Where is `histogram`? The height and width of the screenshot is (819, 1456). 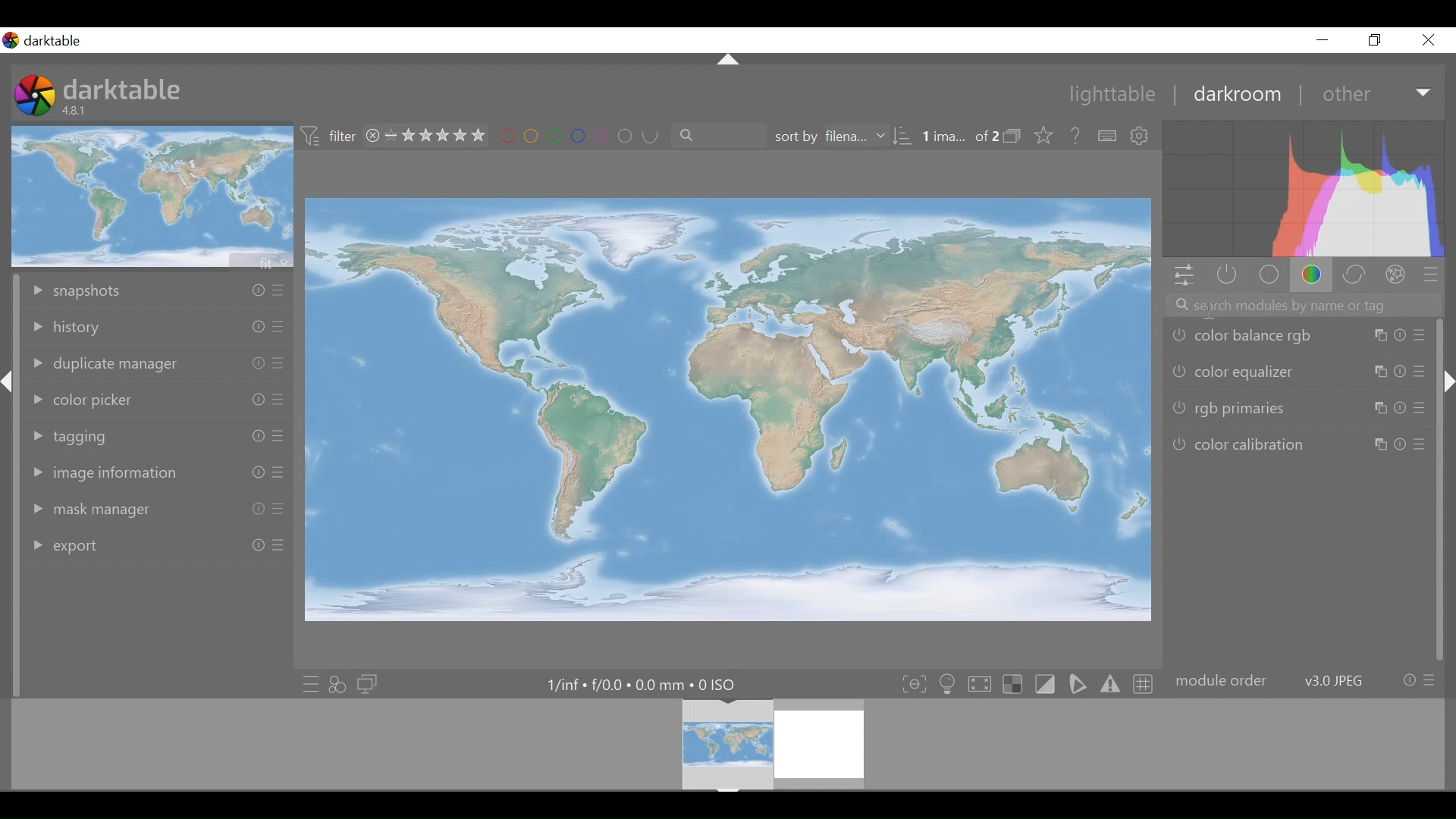
histogram is located at coordinates (1303, 189).